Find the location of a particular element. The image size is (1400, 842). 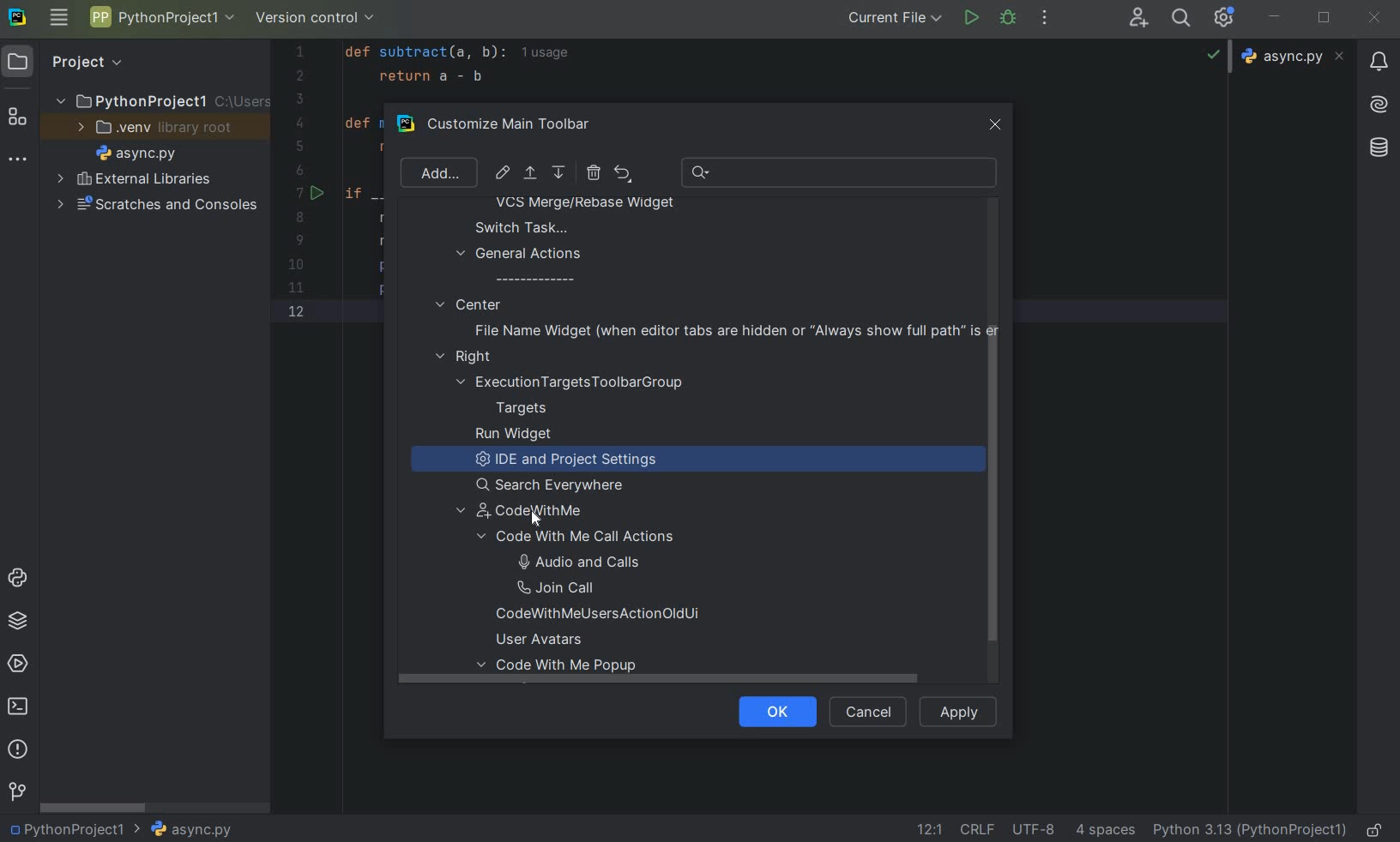

codewithmeusersactionolduni is located at coordinates (598, 616).